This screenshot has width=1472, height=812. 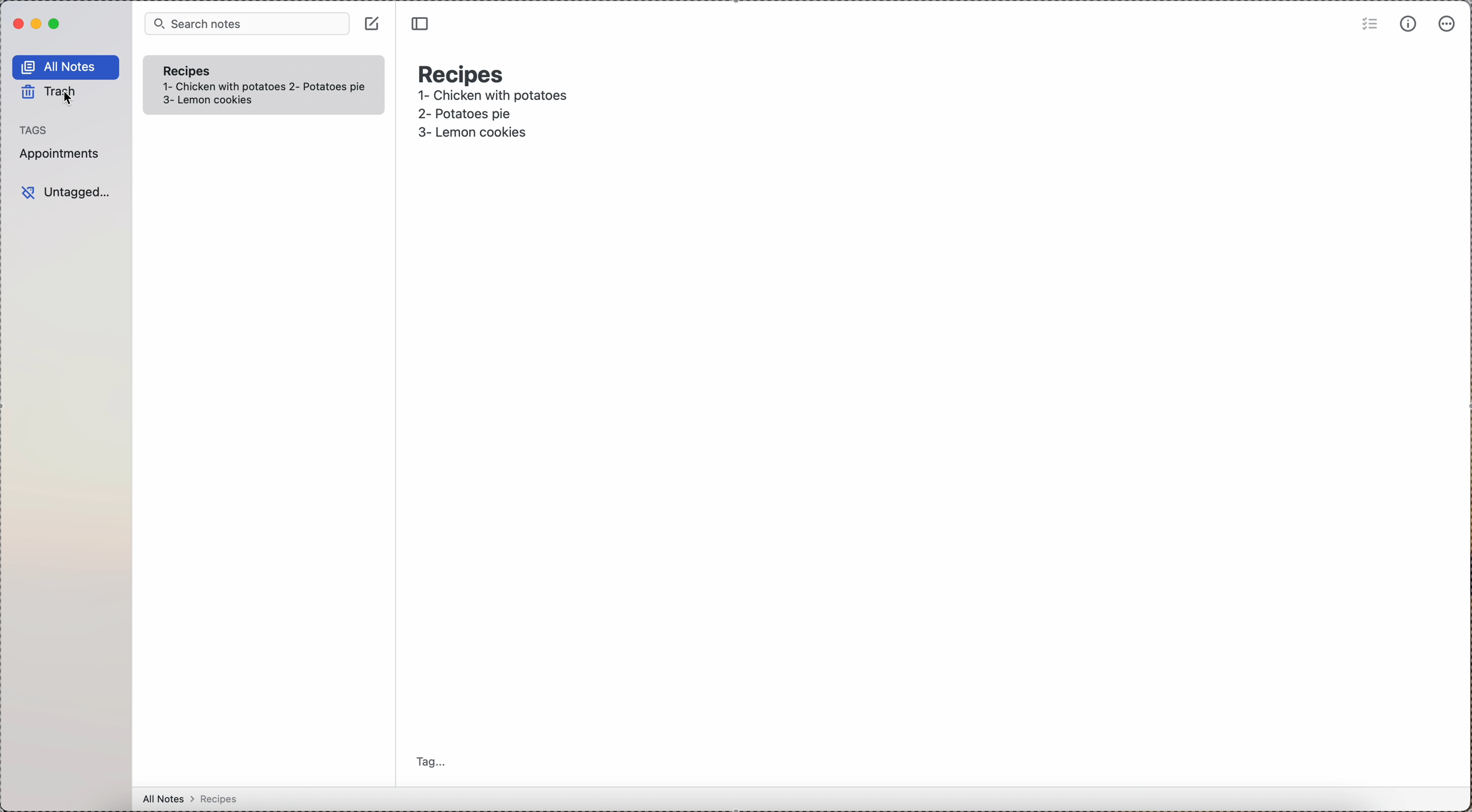 I want to click on 1-chicken with potatoes 2- Potatoes pie, so click(x=265, y=87).